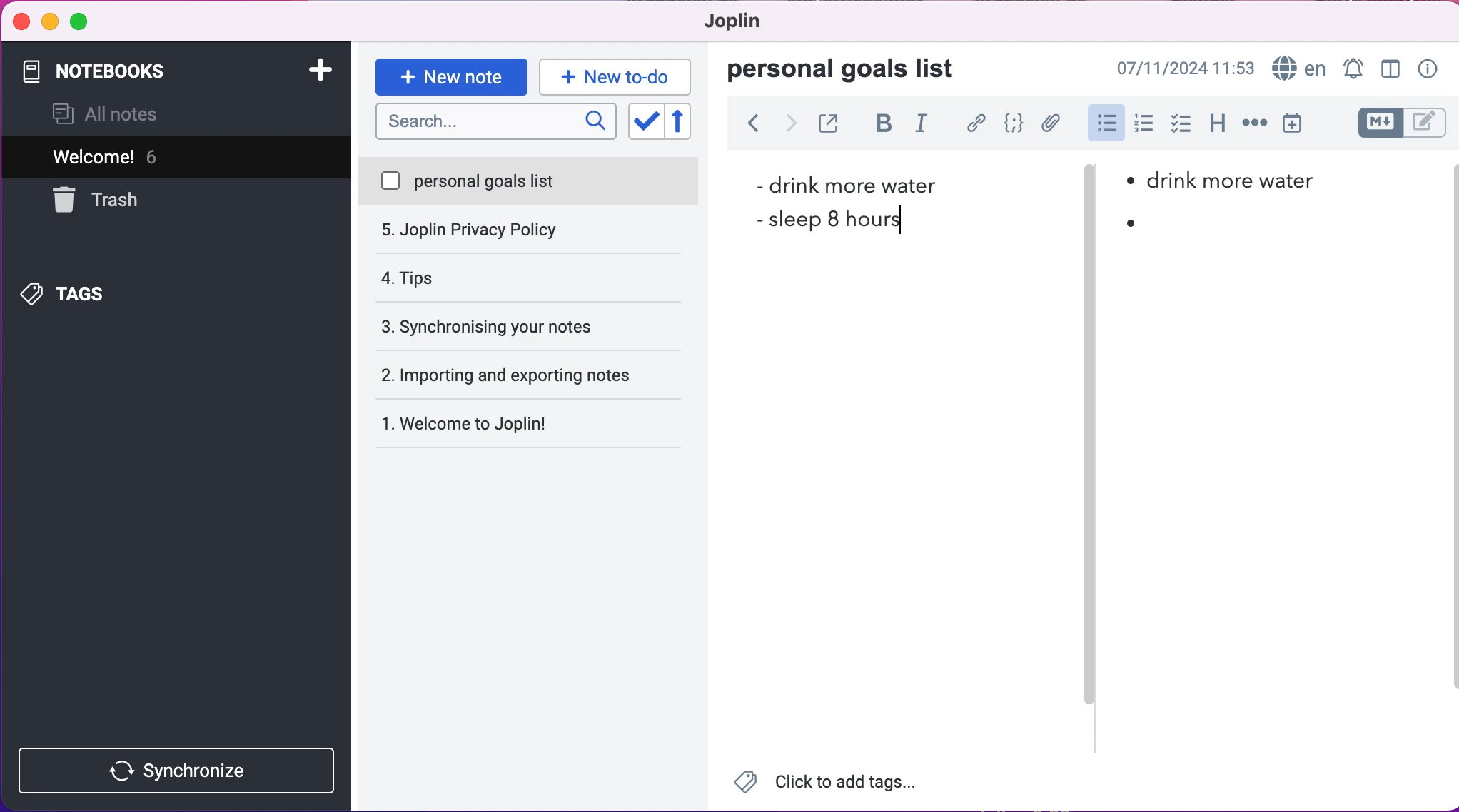 The height and width of the screenshot is (812, 1459). What do you see at coordinates (924, 127) in the screenshot?
I see `italic` at bounding box center [924, 127].